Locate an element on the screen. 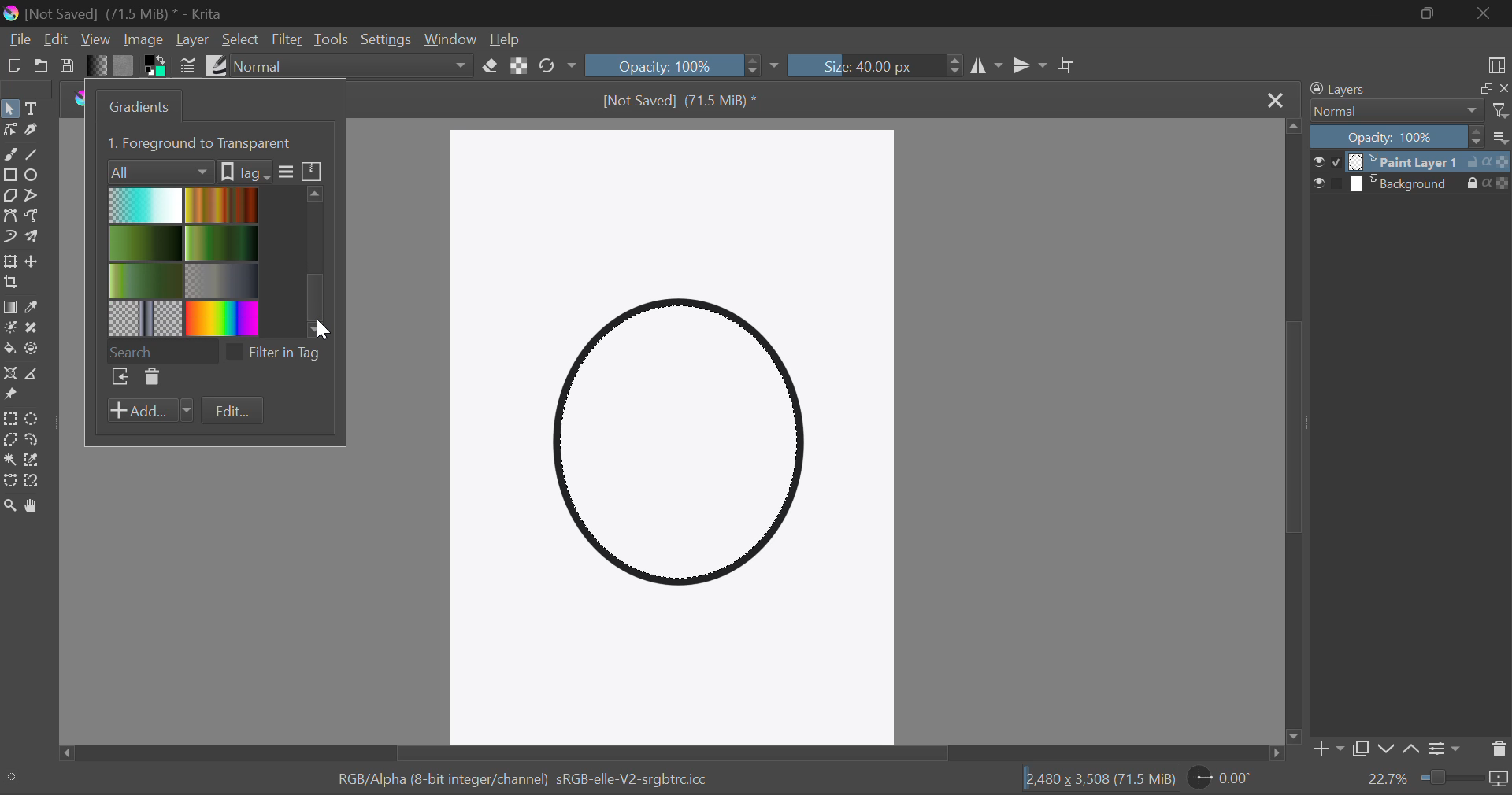 This screenshot has height=795, width=1512. Dynamic Brush is located at coordinates (10, 238).